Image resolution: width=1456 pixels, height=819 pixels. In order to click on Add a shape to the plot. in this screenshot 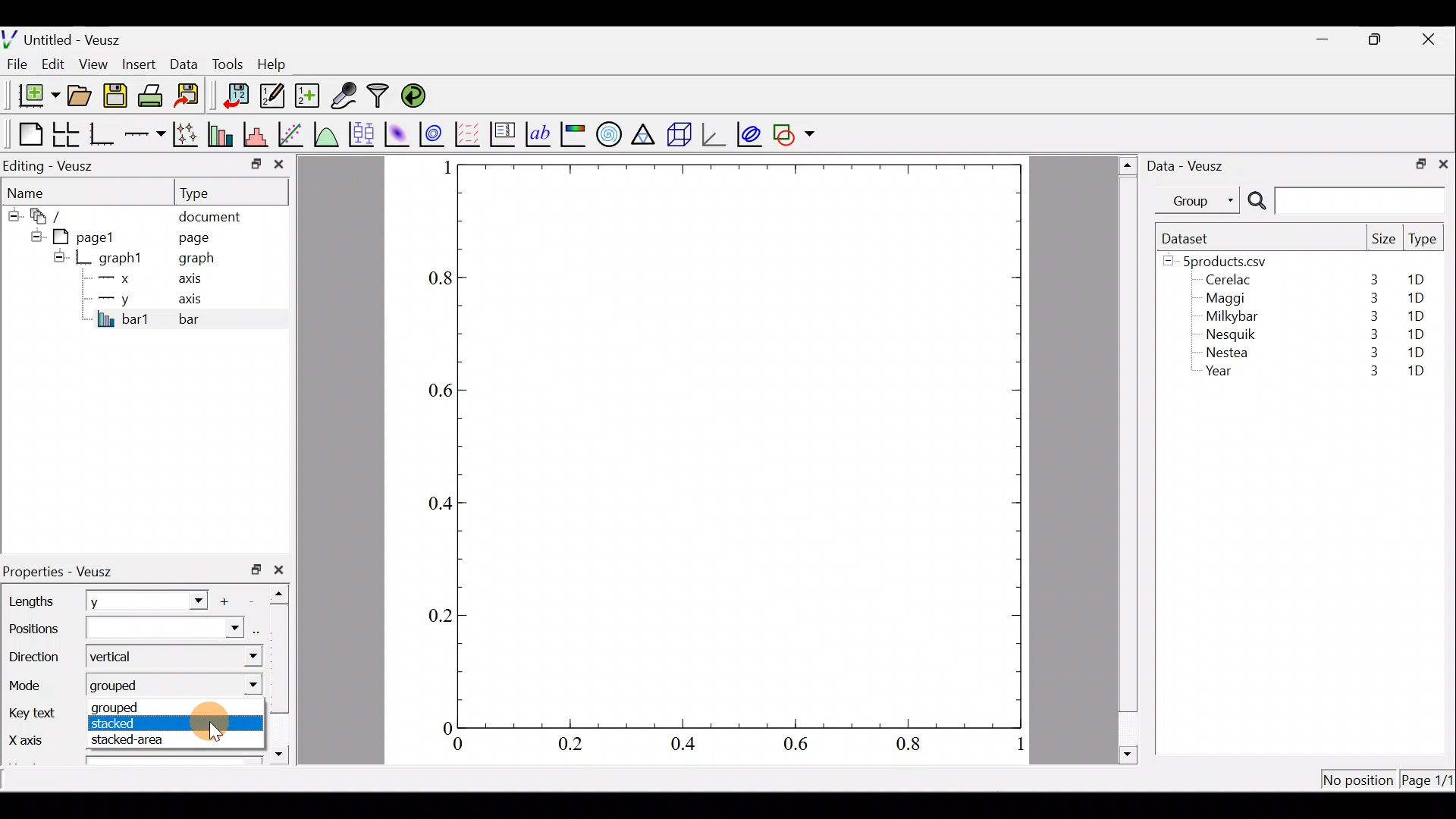, I will do `click(795, 132)`.